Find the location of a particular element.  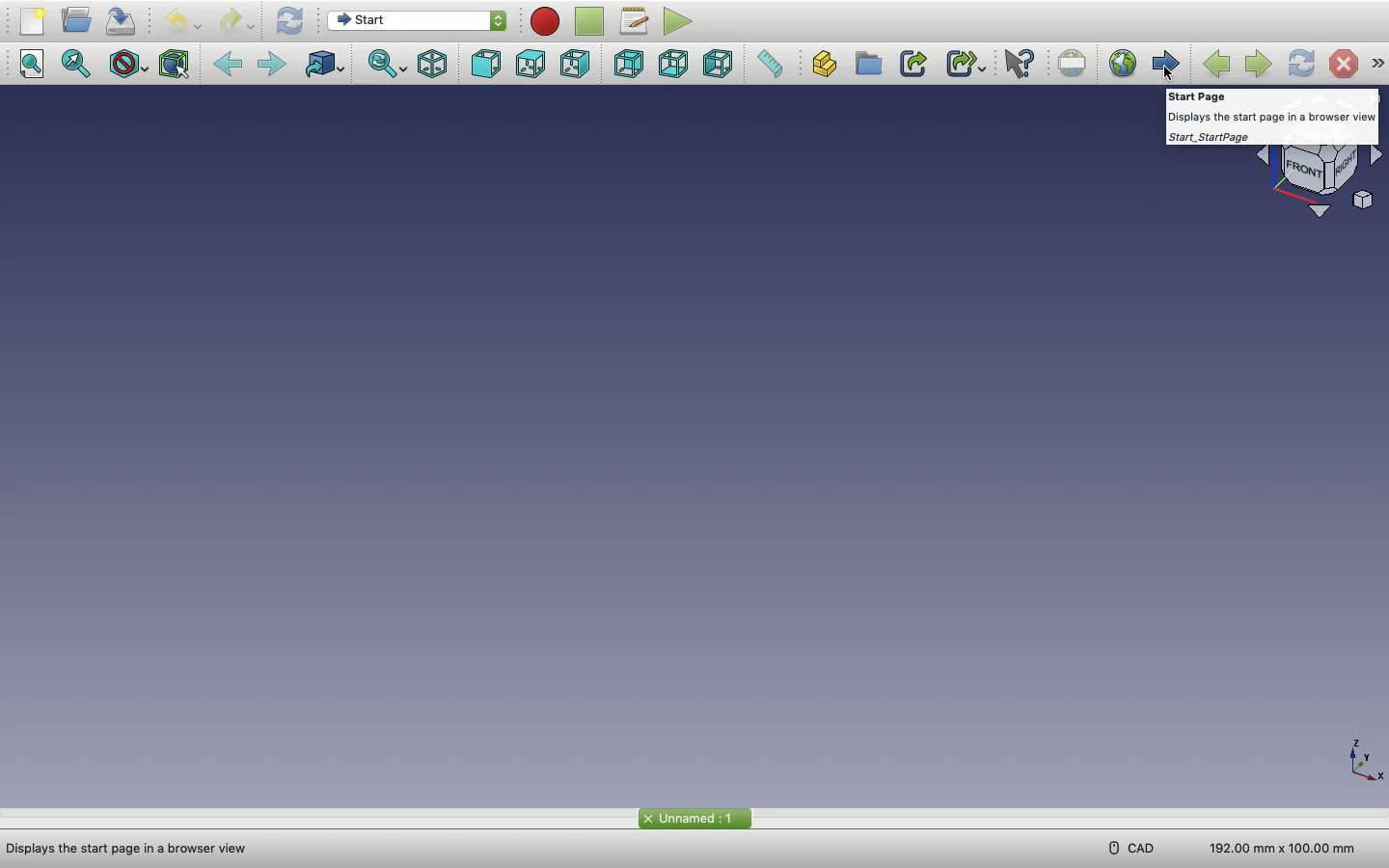

Measure distance is located at coordinates (768, 63).